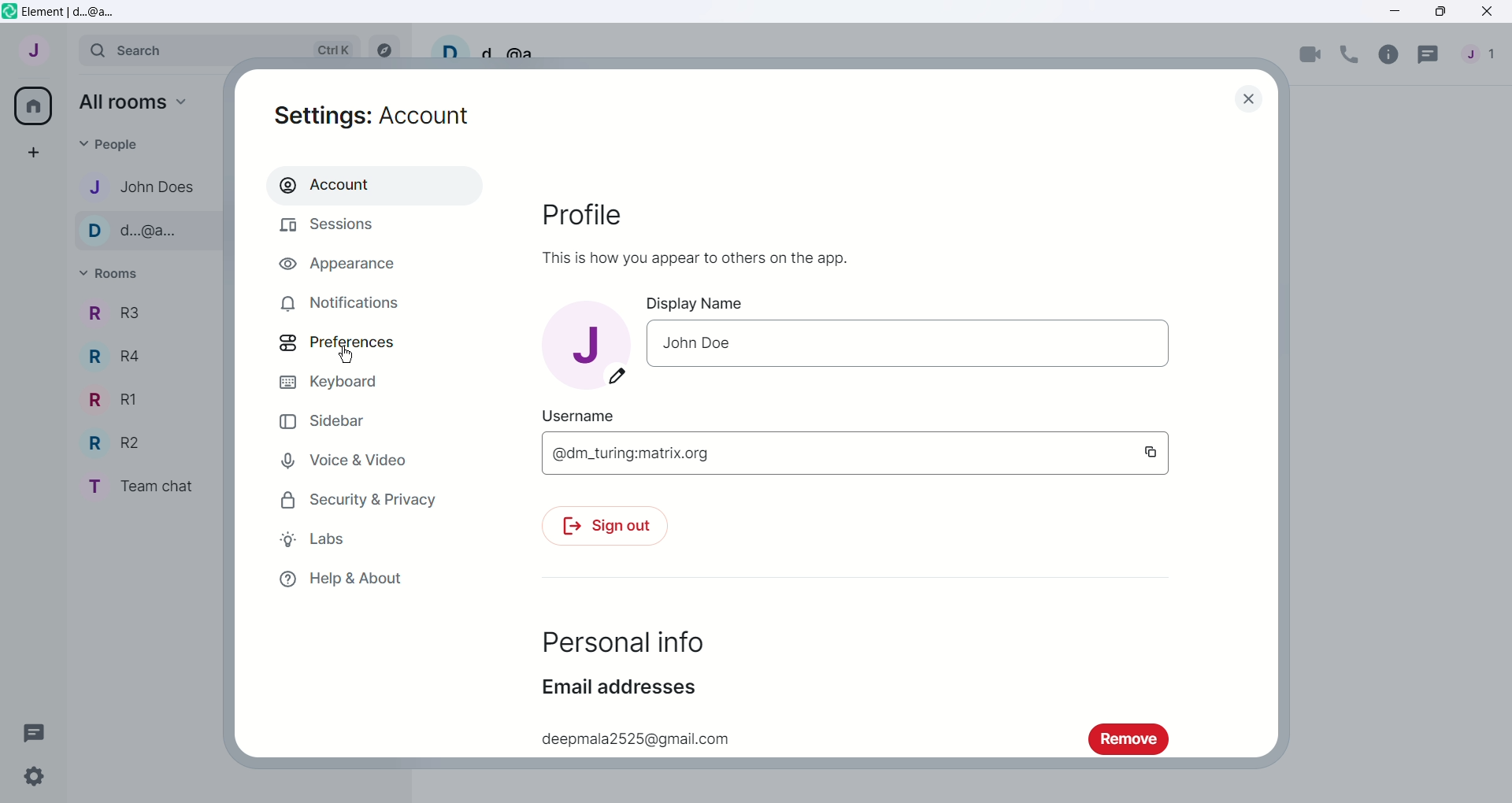  What do you see at coordinates (1489, 11) in the screenshot?
I see `Close` at bounding box center [1489, 11].